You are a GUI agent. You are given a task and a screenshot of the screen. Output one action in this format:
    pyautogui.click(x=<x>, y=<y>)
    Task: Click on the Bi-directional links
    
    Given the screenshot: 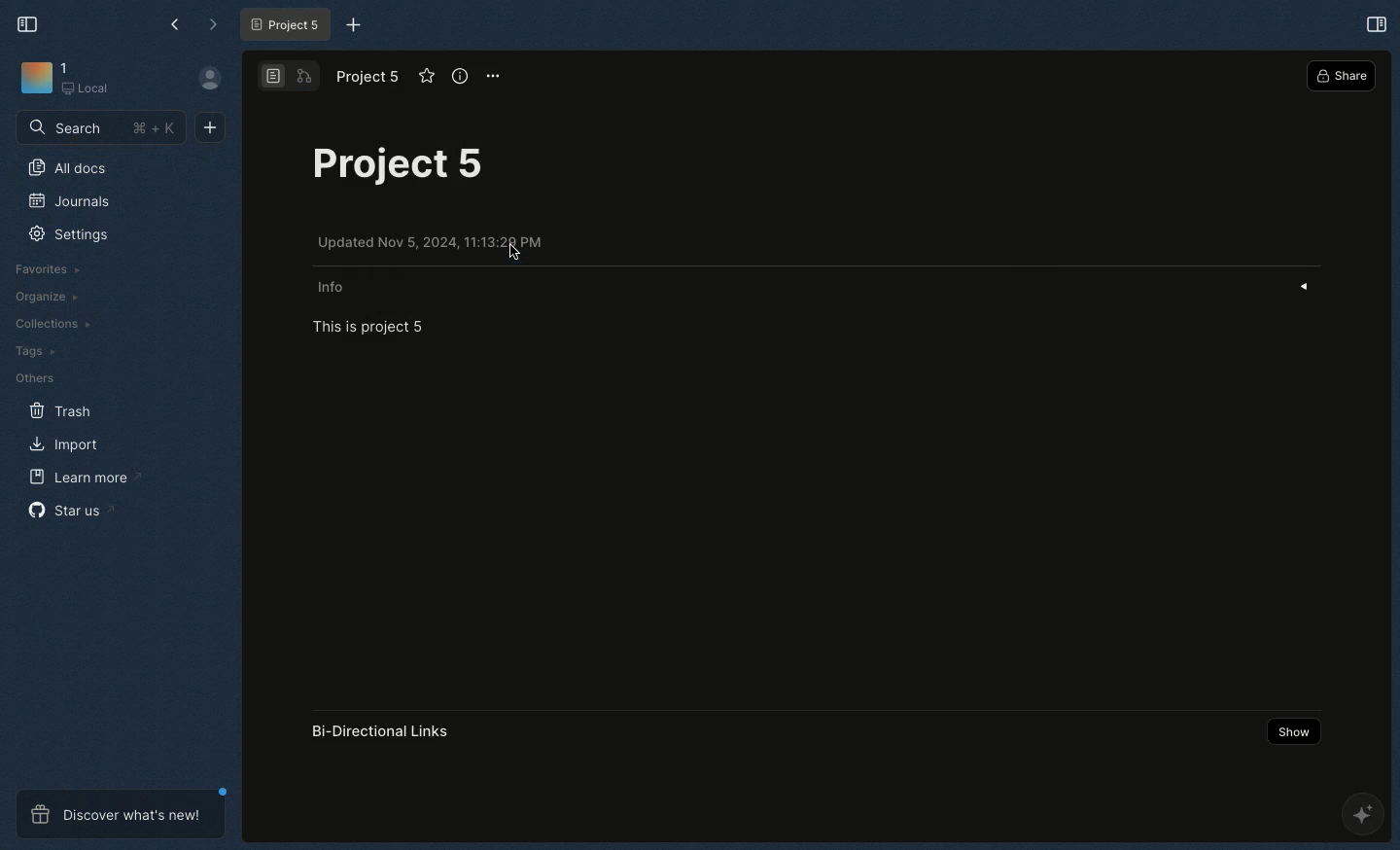 What is the action you would take?
    pyautogui.click(x=392, y=729)
    